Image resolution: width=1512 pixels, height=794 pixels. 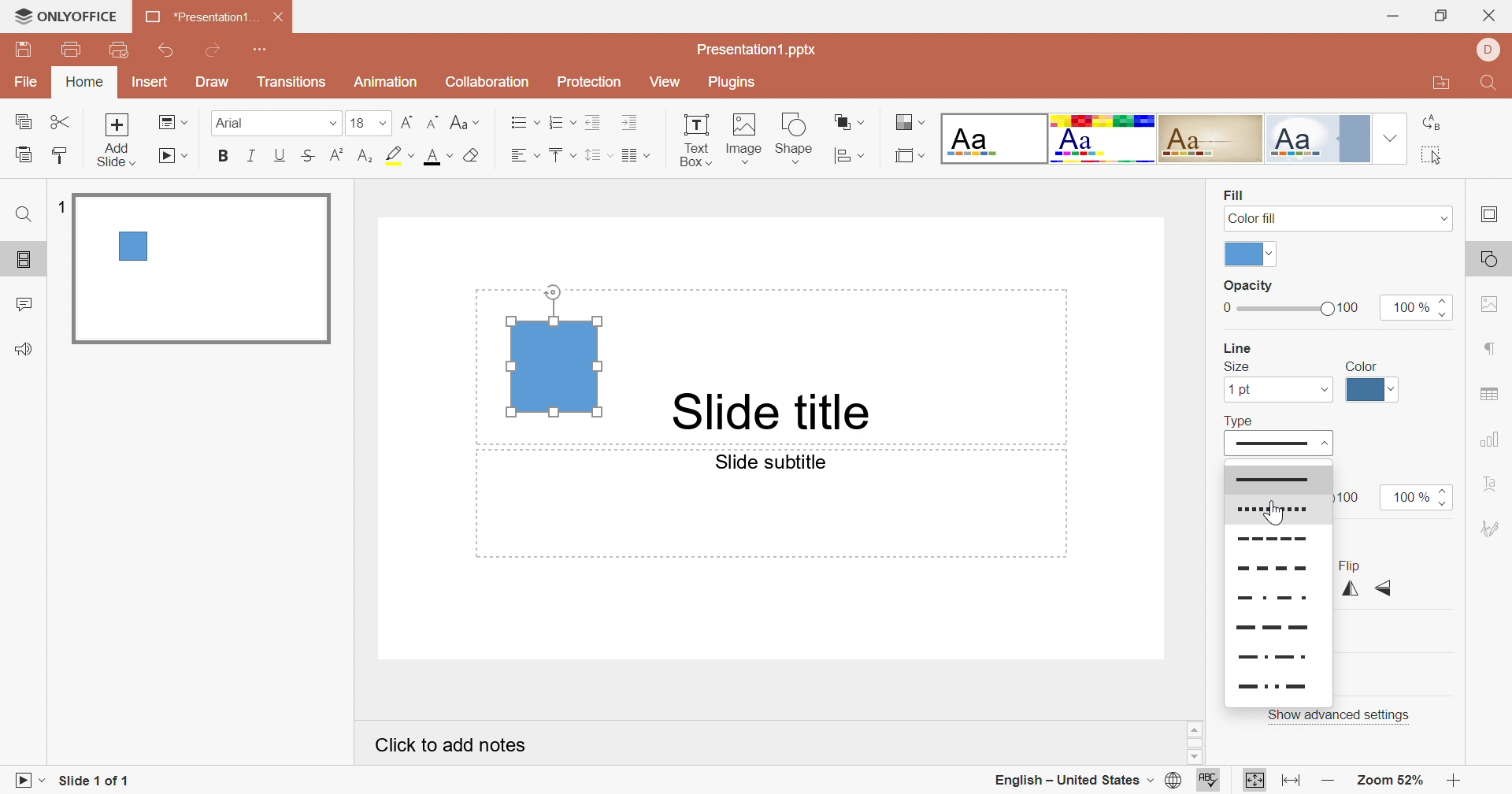 What do you see at coordinates (1275, 598) in the screenshot?
I see `Line` at bounding box center [1275, 598].